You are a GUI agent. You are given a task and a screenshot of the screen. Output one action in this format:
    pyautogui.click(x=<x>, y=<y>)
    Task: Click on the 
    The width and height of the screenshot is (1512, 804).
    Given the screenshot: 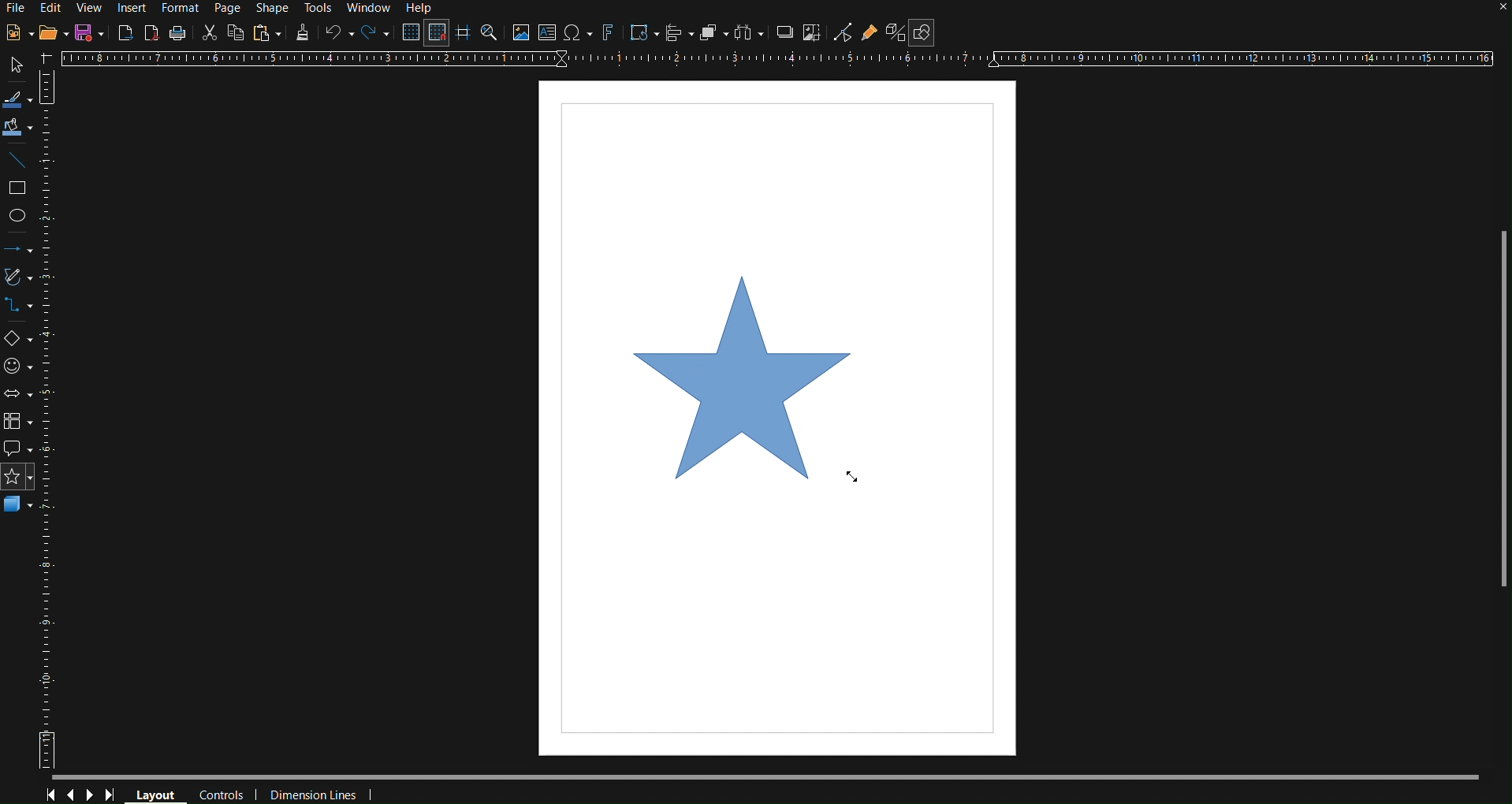 What is the action you would take?
    pyautogui.click(x=17, y=66)
    